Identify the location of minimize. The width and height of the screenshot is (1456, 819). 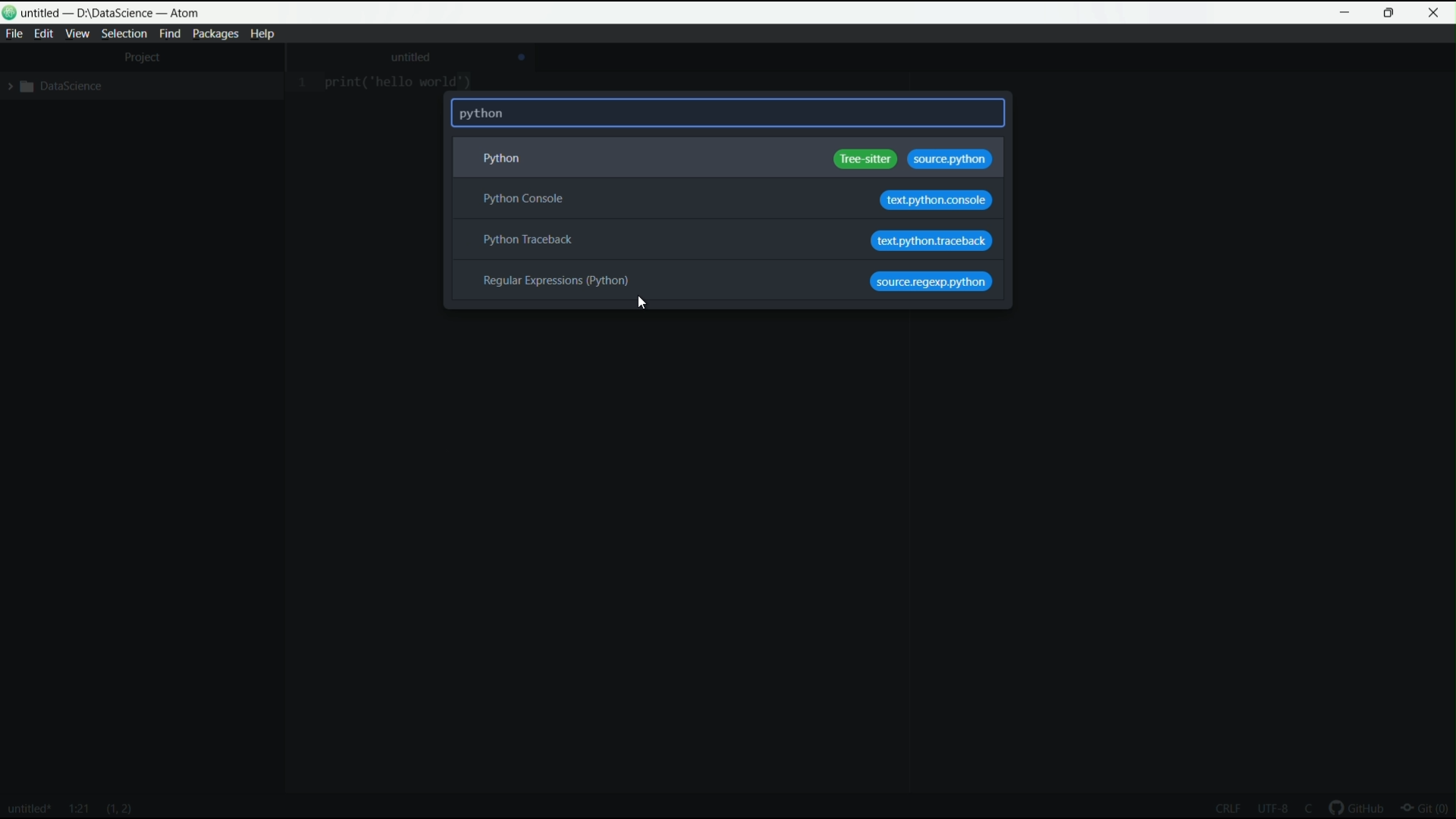
(1346, 13).